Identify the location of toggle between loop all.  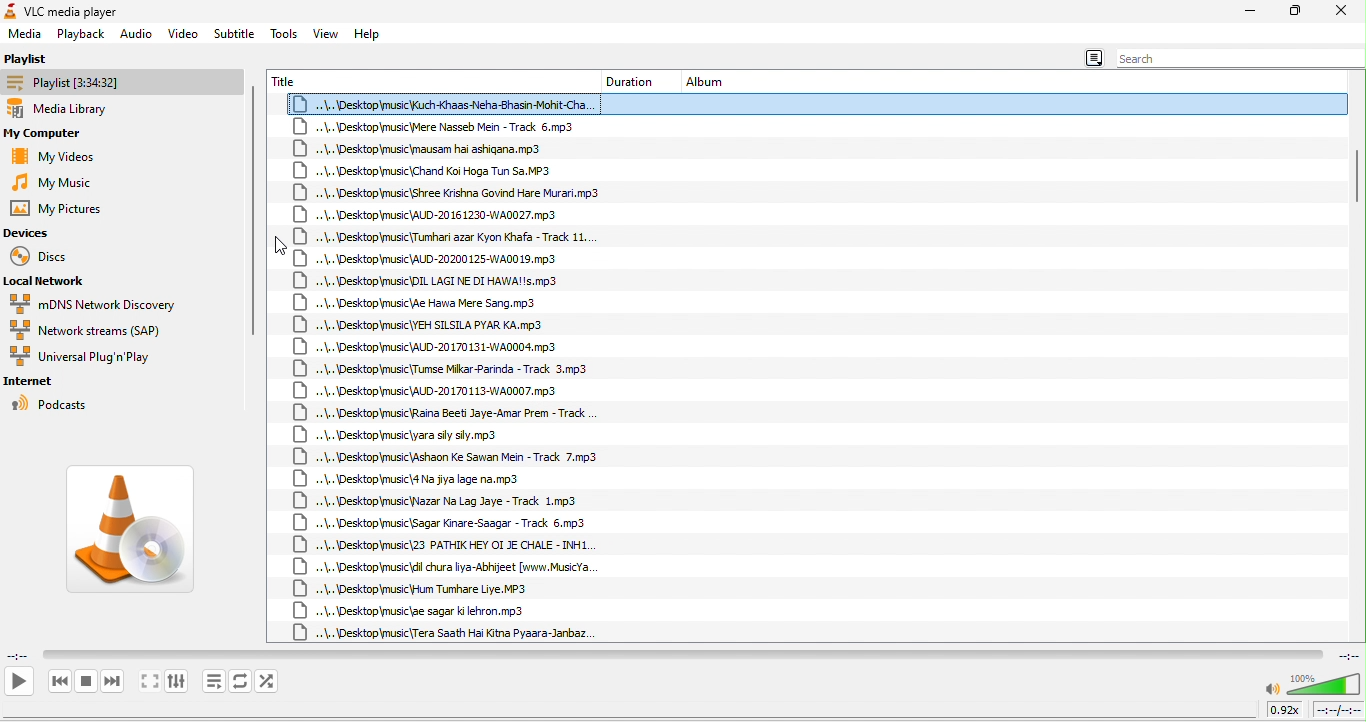
(241, 681).